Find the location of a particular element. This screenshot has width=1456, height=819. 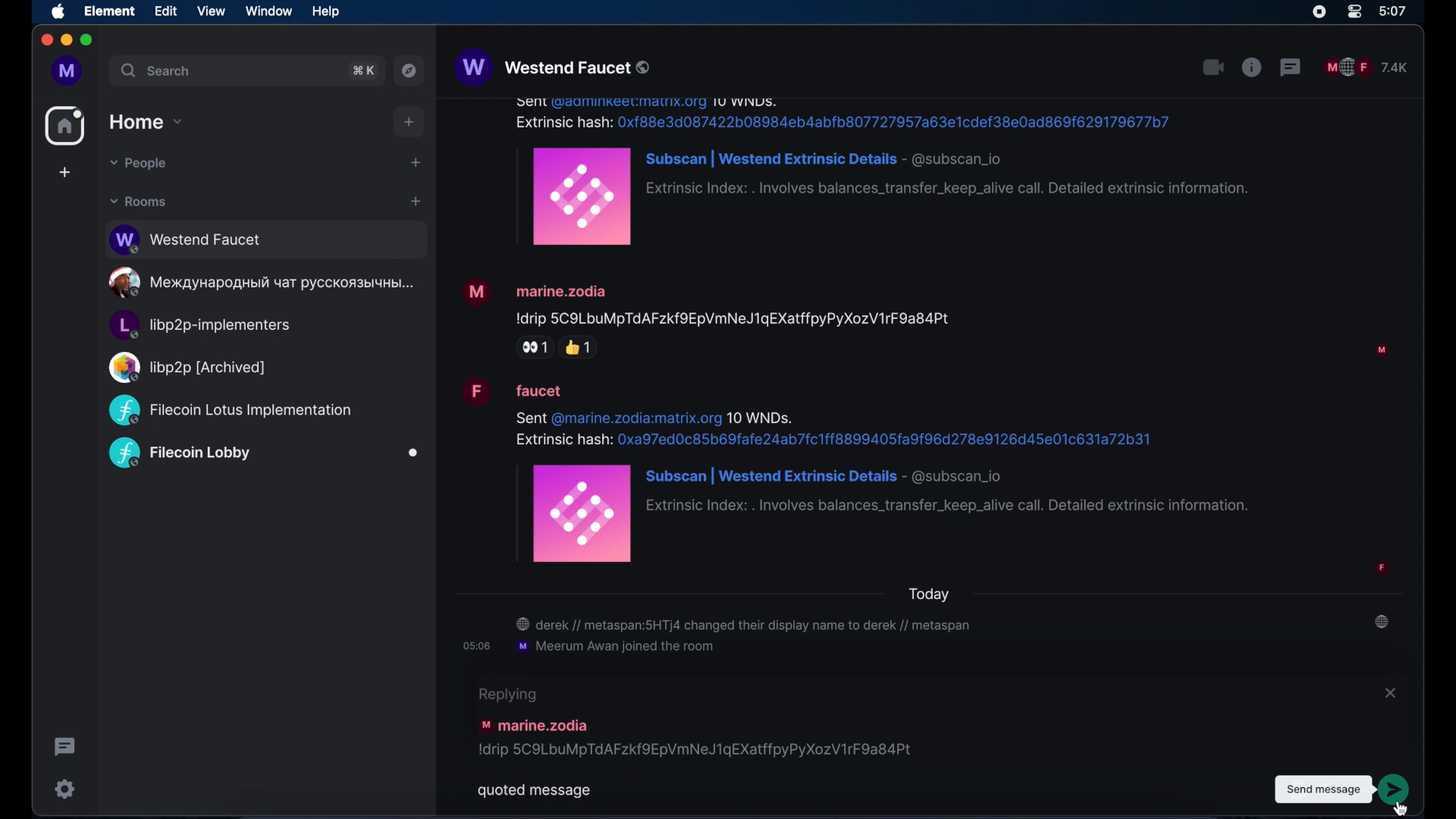

send message is located at coordinates (1397, 789).